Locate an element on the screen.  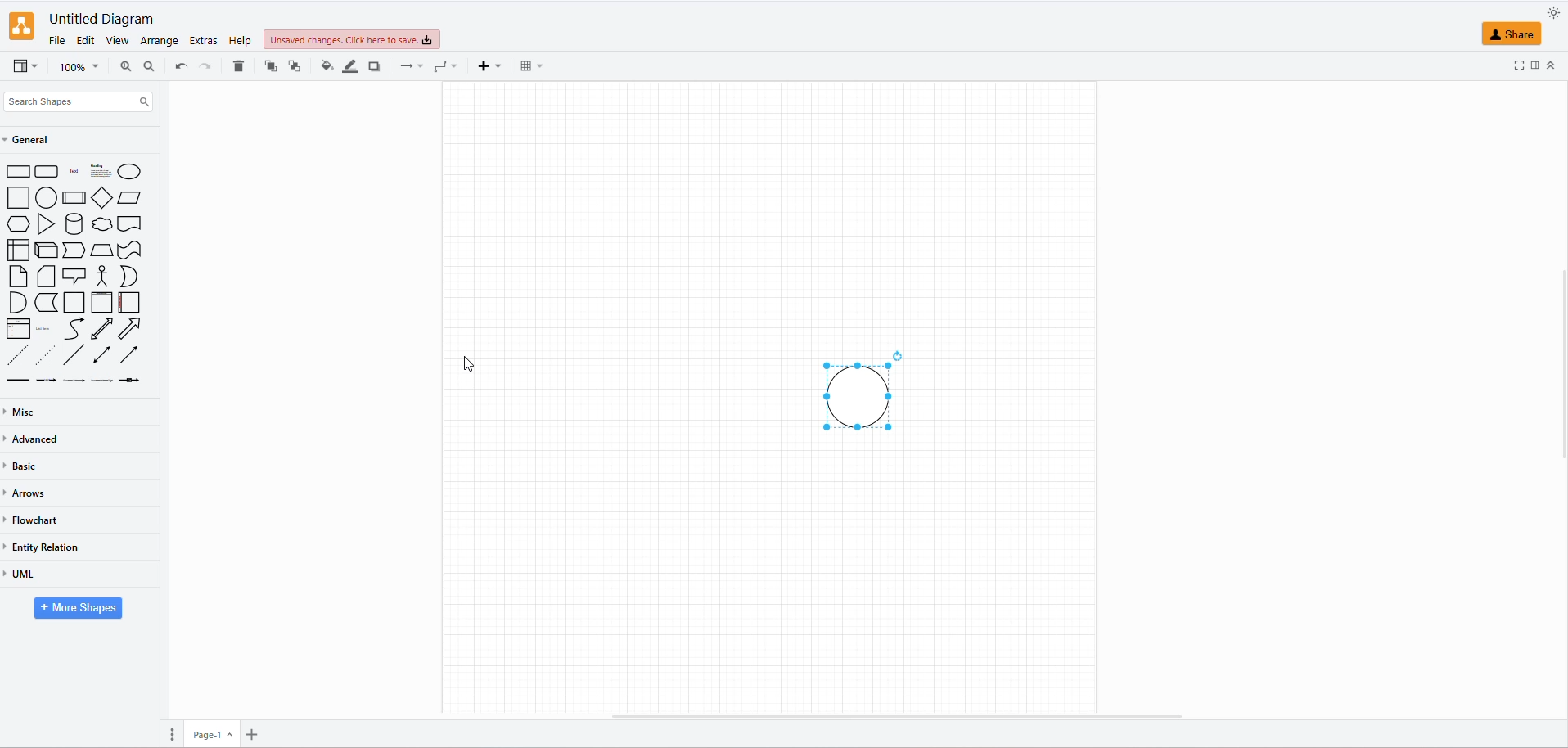
UNDO is located at coordinates (179, 67).